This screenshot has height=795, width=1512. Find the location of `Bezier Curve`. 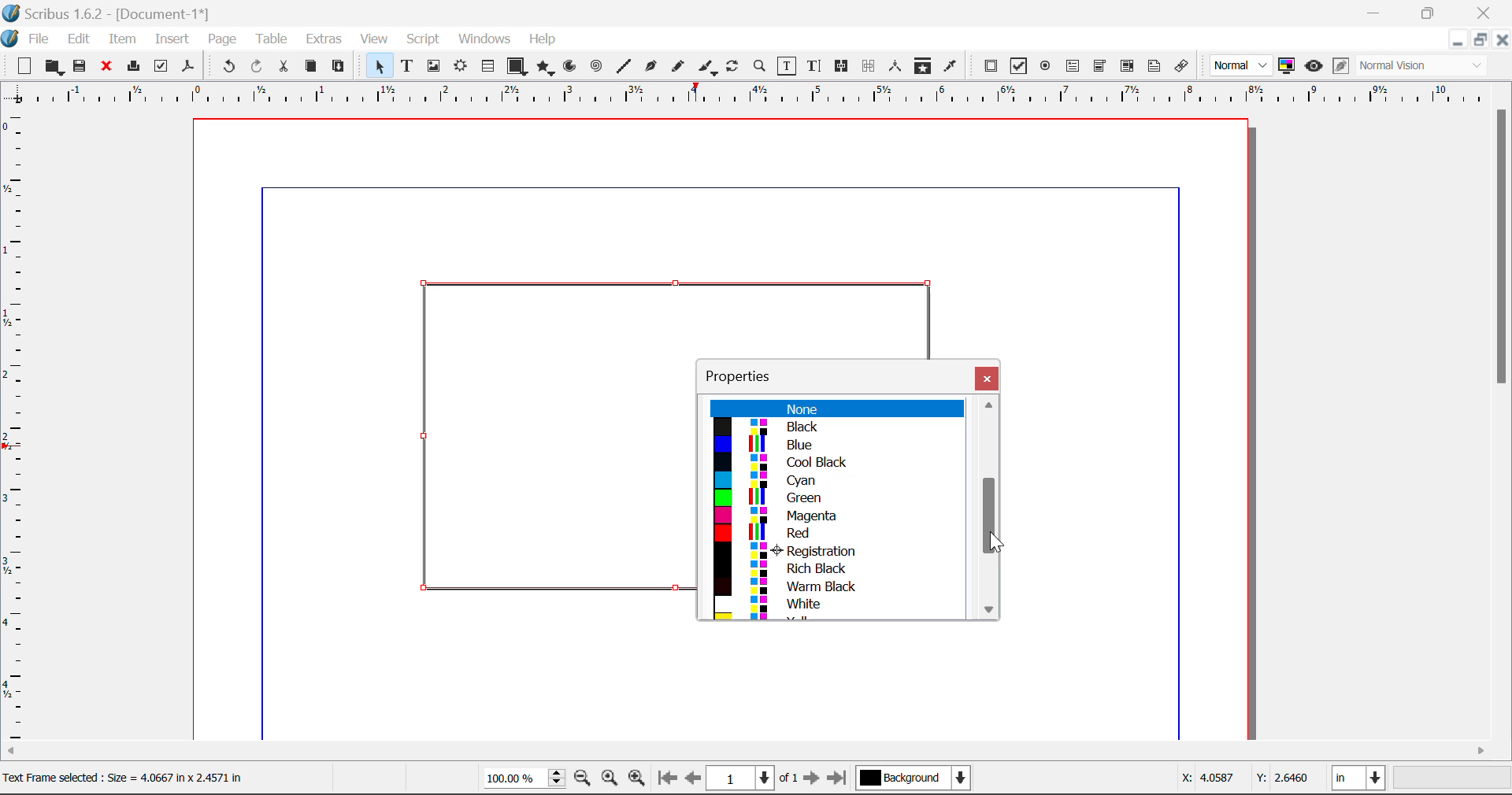

Bezier Curve is located at coordinates (649, 66).